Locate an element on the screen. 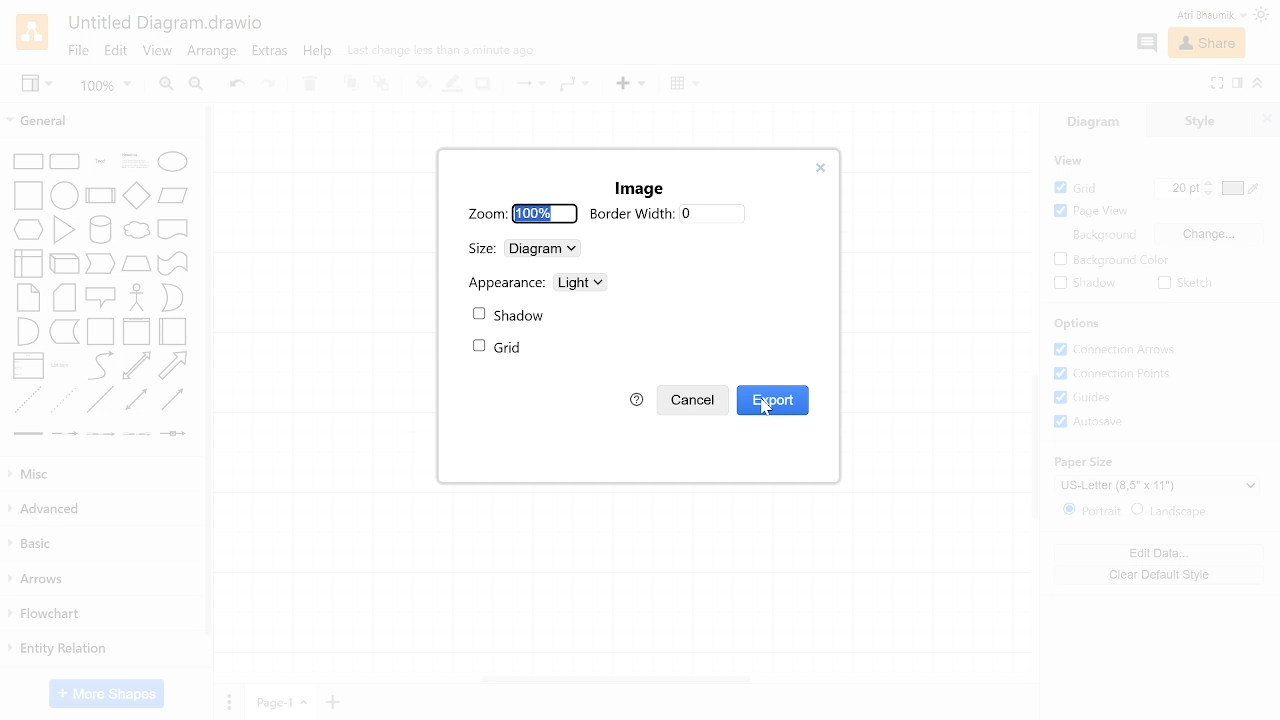  pages is located at coordinates (226, 701).